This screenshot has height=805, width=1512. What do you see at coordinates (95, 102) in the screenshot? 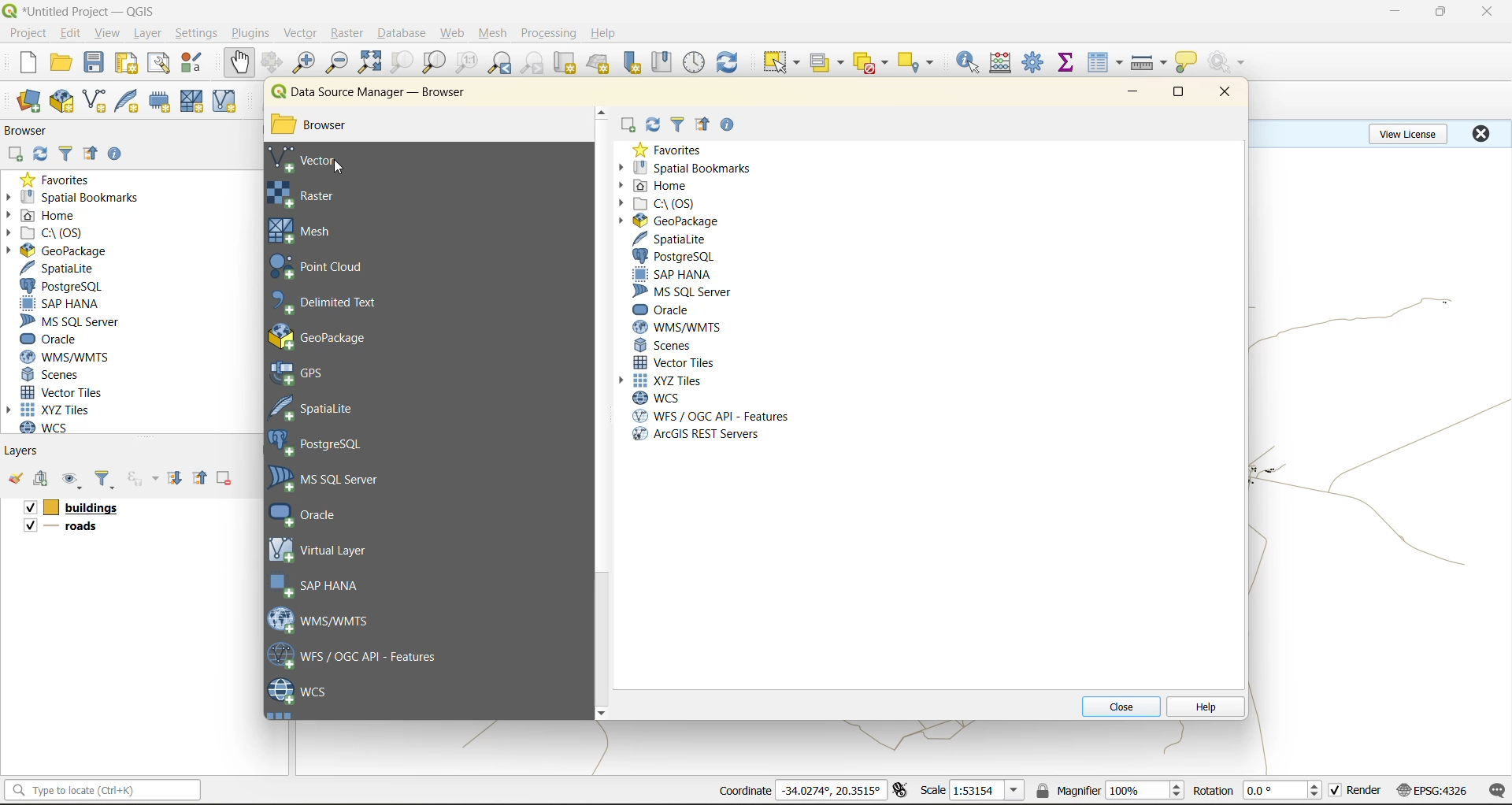
I see `new shapefile layer` at bounding box center [95, 102].